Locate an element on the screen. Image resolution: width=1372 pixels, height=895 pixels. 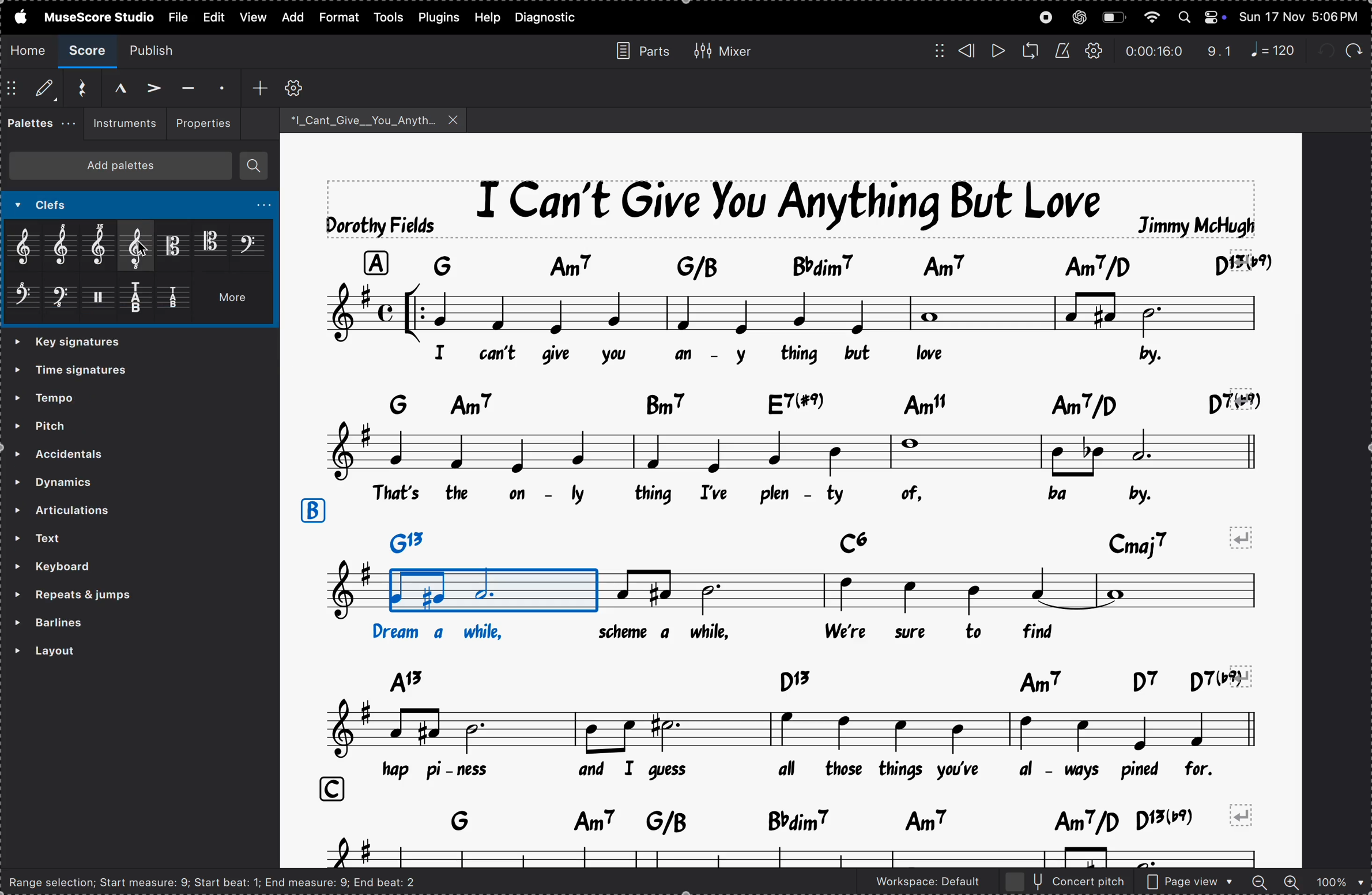
staccato  is located at coordinates (220, 86).